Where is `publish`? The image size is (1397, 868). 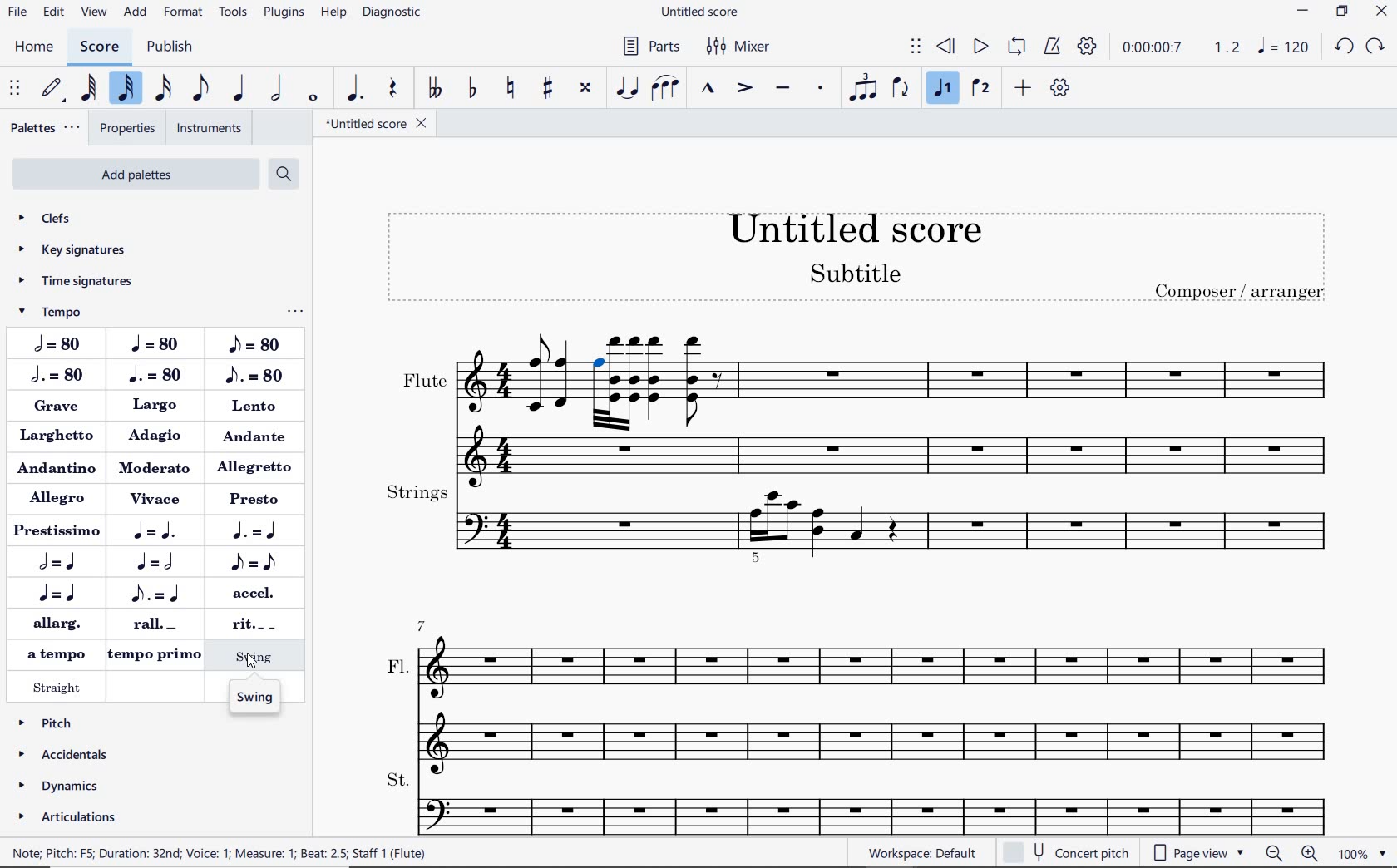 publish is located at coordinates (171, 47).